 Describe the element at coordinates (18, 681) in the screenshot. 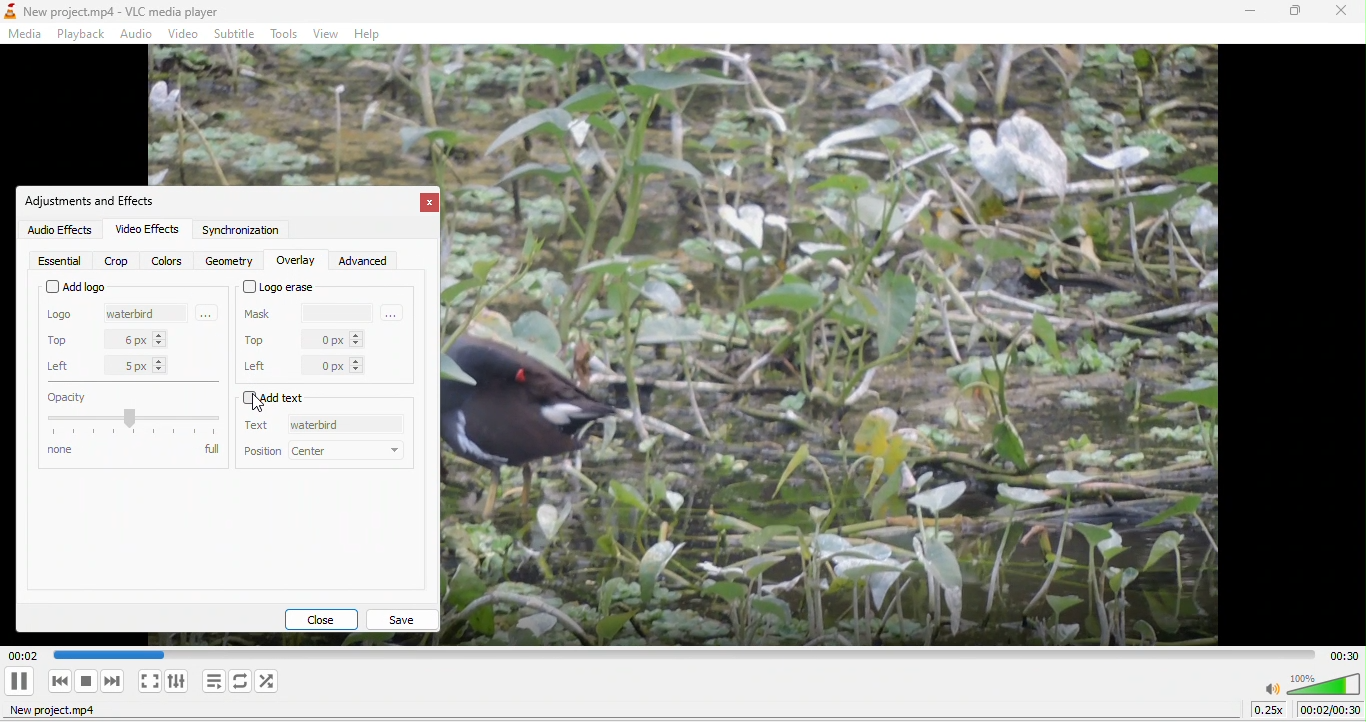

I see `play` at that location.